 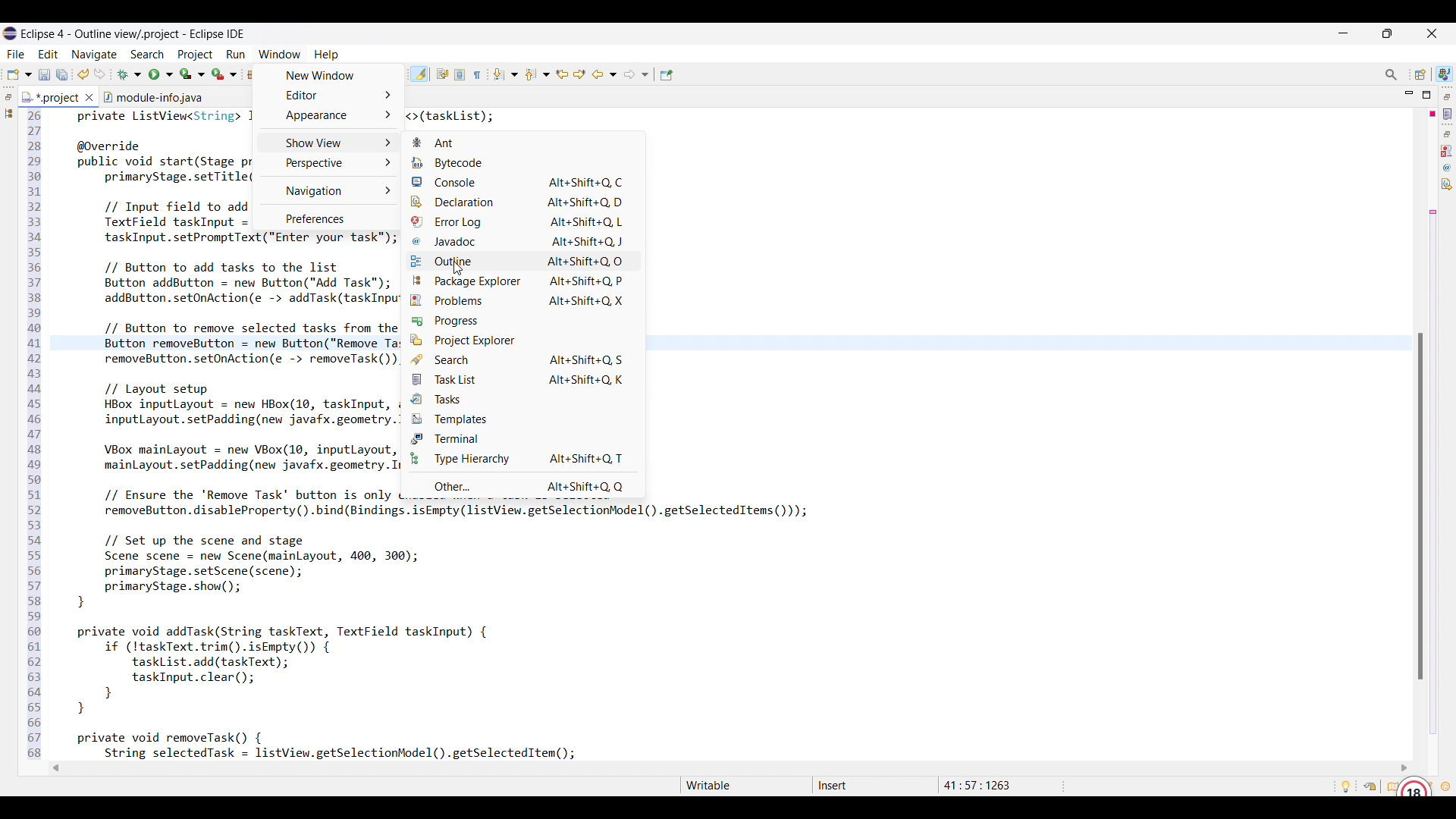 What do you see at coordinates (522, 221) in the screenshot?
I see `Error log` at bounding box center [522, 221].